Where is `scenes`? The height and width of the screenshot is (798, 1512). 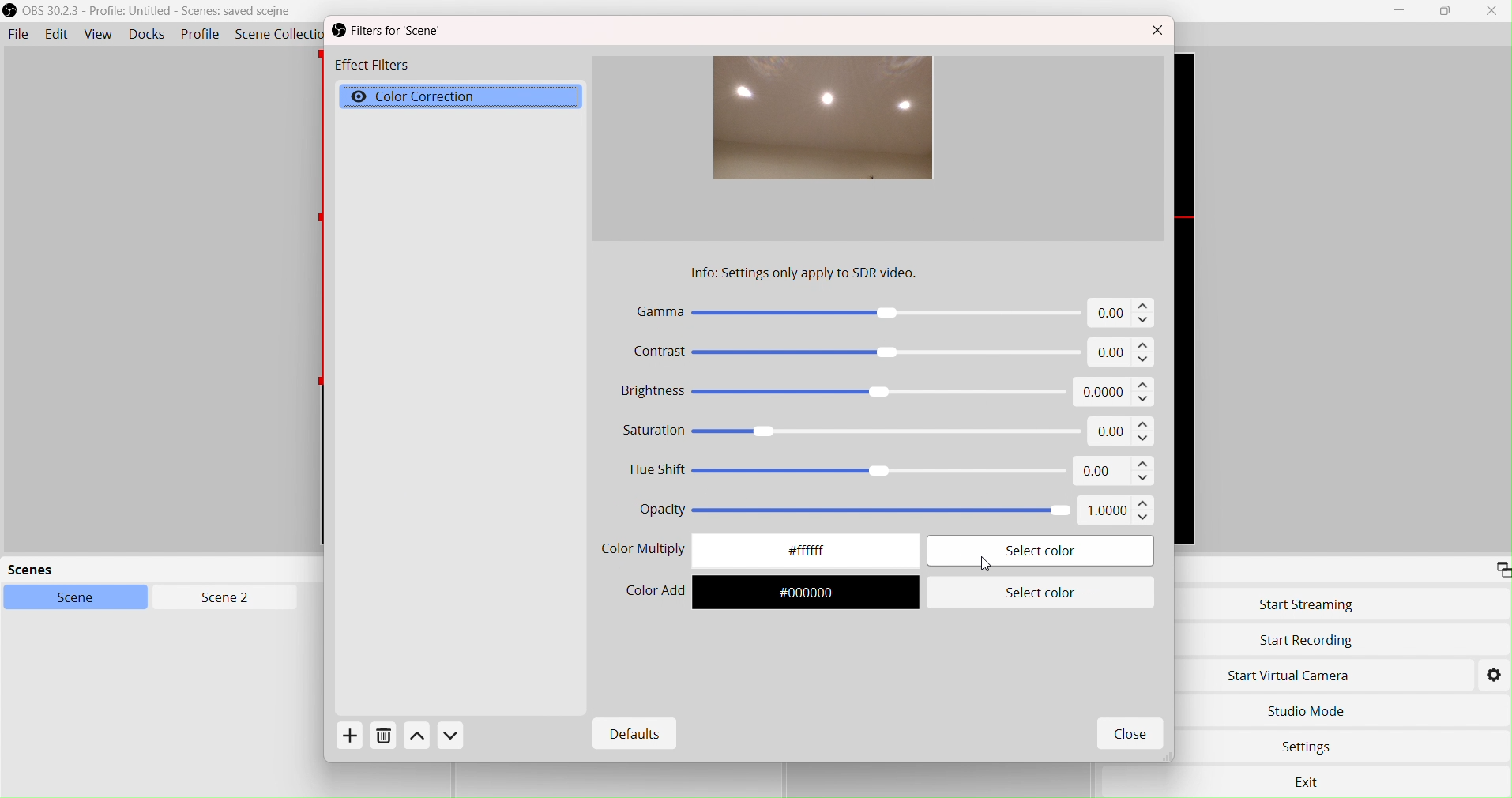 scenes is located at coordinates (126, 570).